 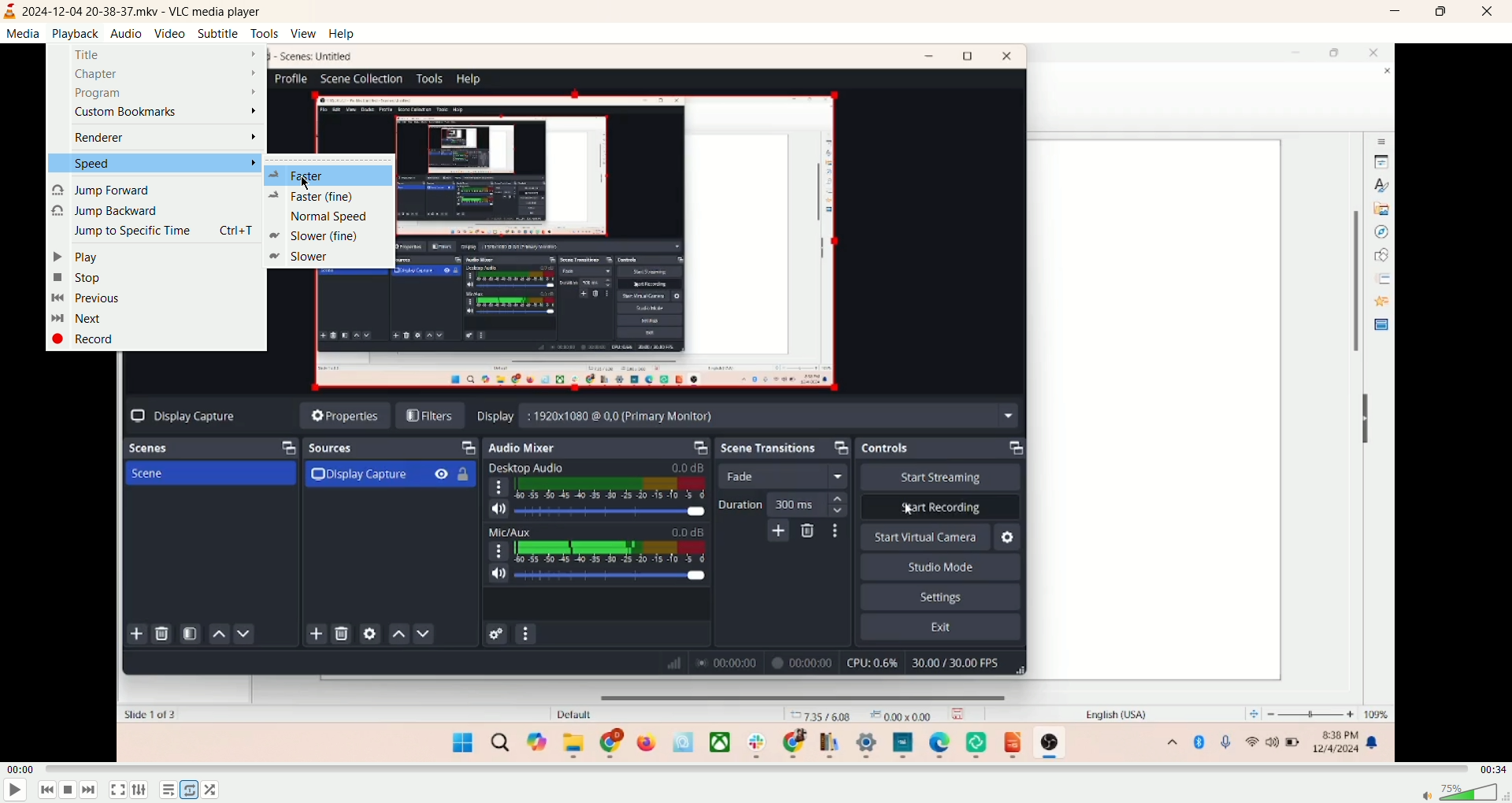 I want to click on previous, so click(x=46, y=794).